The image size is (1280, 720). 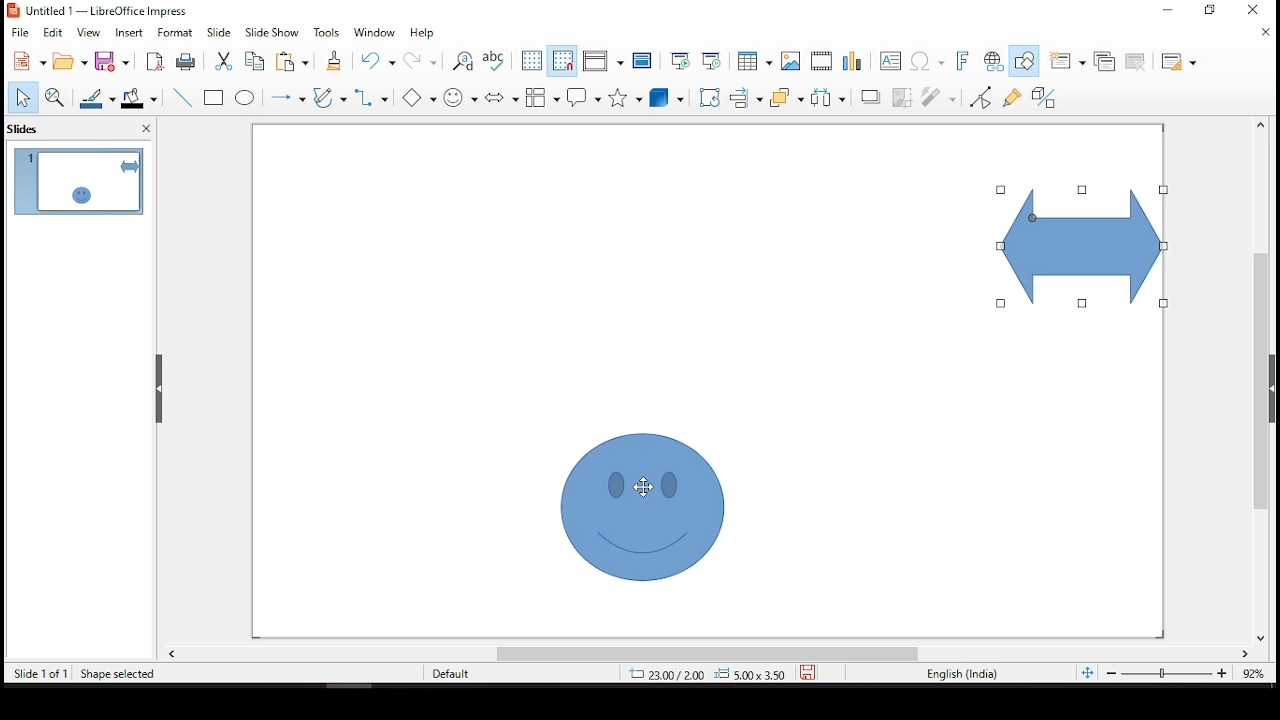 What do you see at coordinates (422, 36) in the screenshot?
I see `help` at bounding box center [422, 36].